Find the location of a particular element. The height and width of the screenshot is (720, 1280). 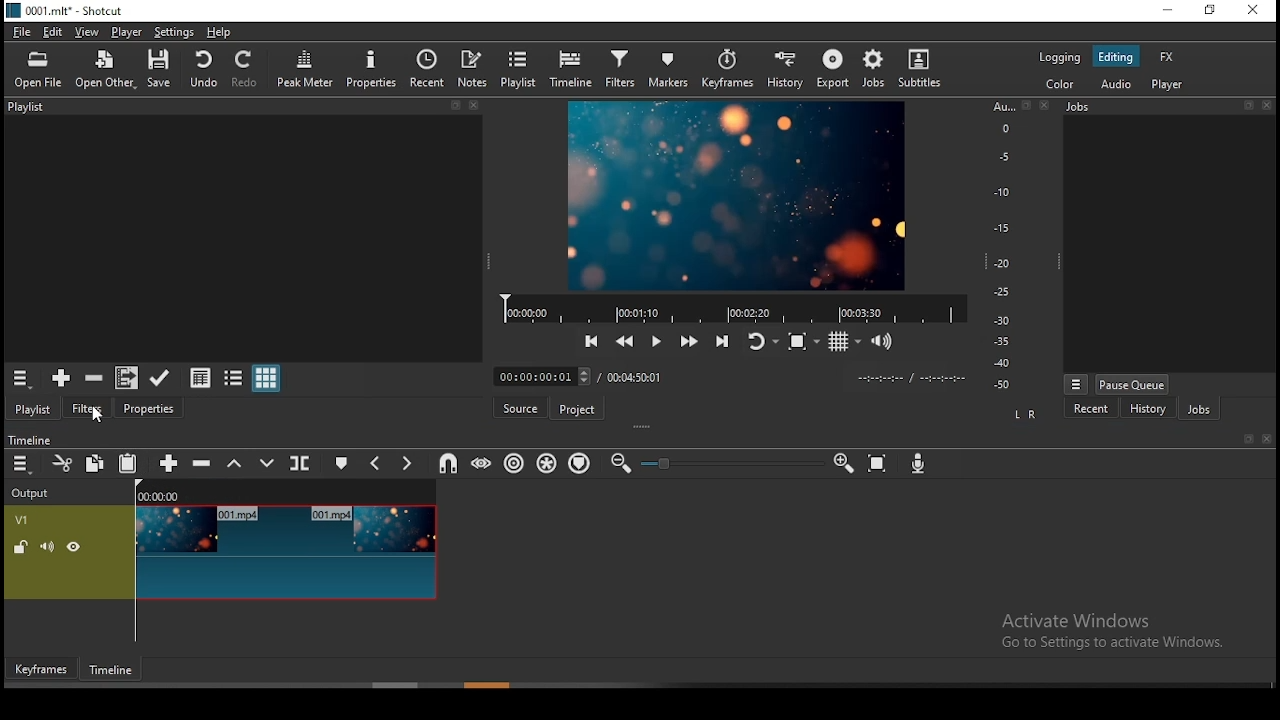

peak meter is located at coordinates (304, 70).